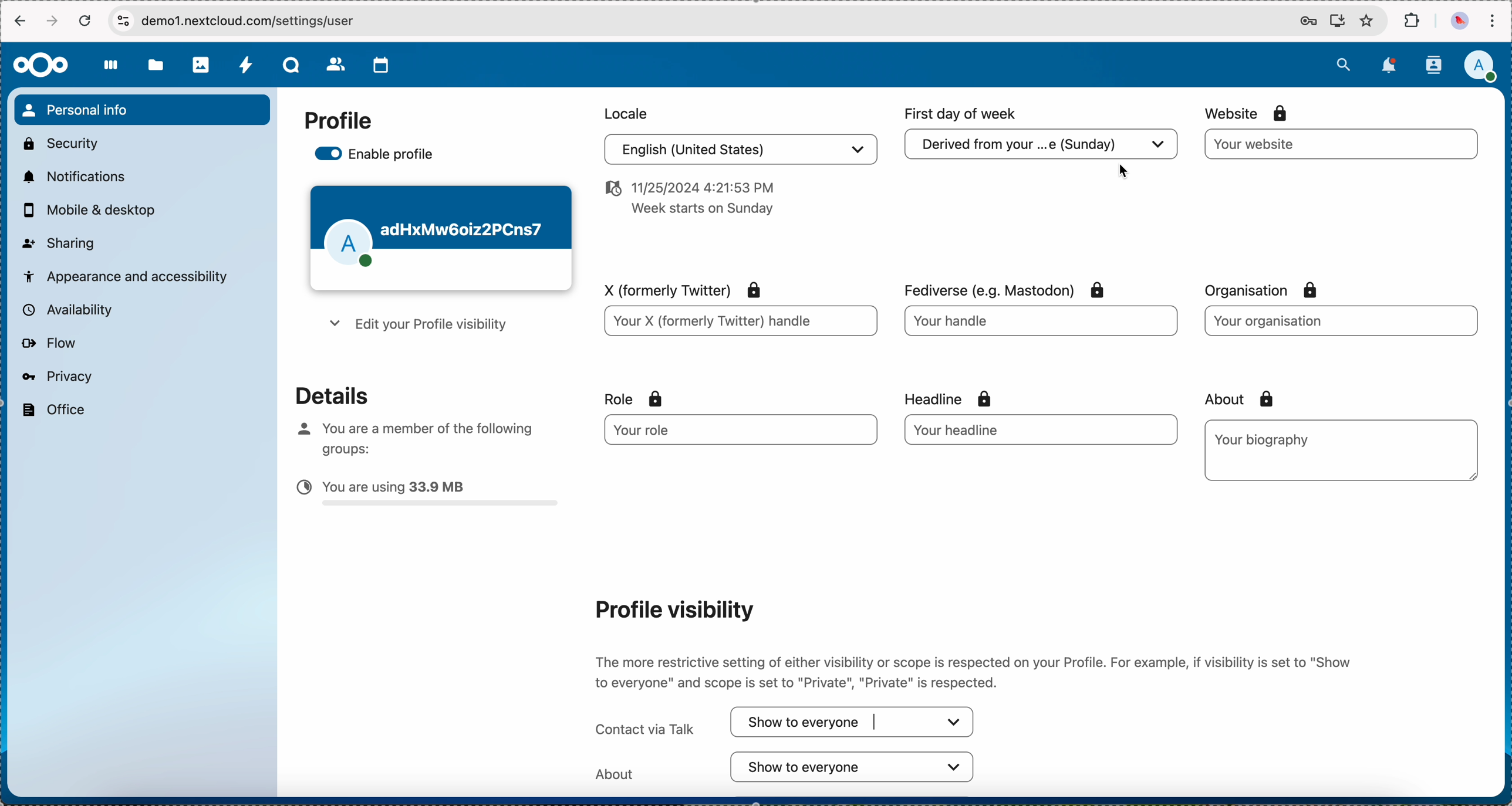 This screenshot has height=806, width=1512. What do you see at coordinates (1500, 398) in the screenshot?
I see `scroll bar` at bounding box center [1500, 398].